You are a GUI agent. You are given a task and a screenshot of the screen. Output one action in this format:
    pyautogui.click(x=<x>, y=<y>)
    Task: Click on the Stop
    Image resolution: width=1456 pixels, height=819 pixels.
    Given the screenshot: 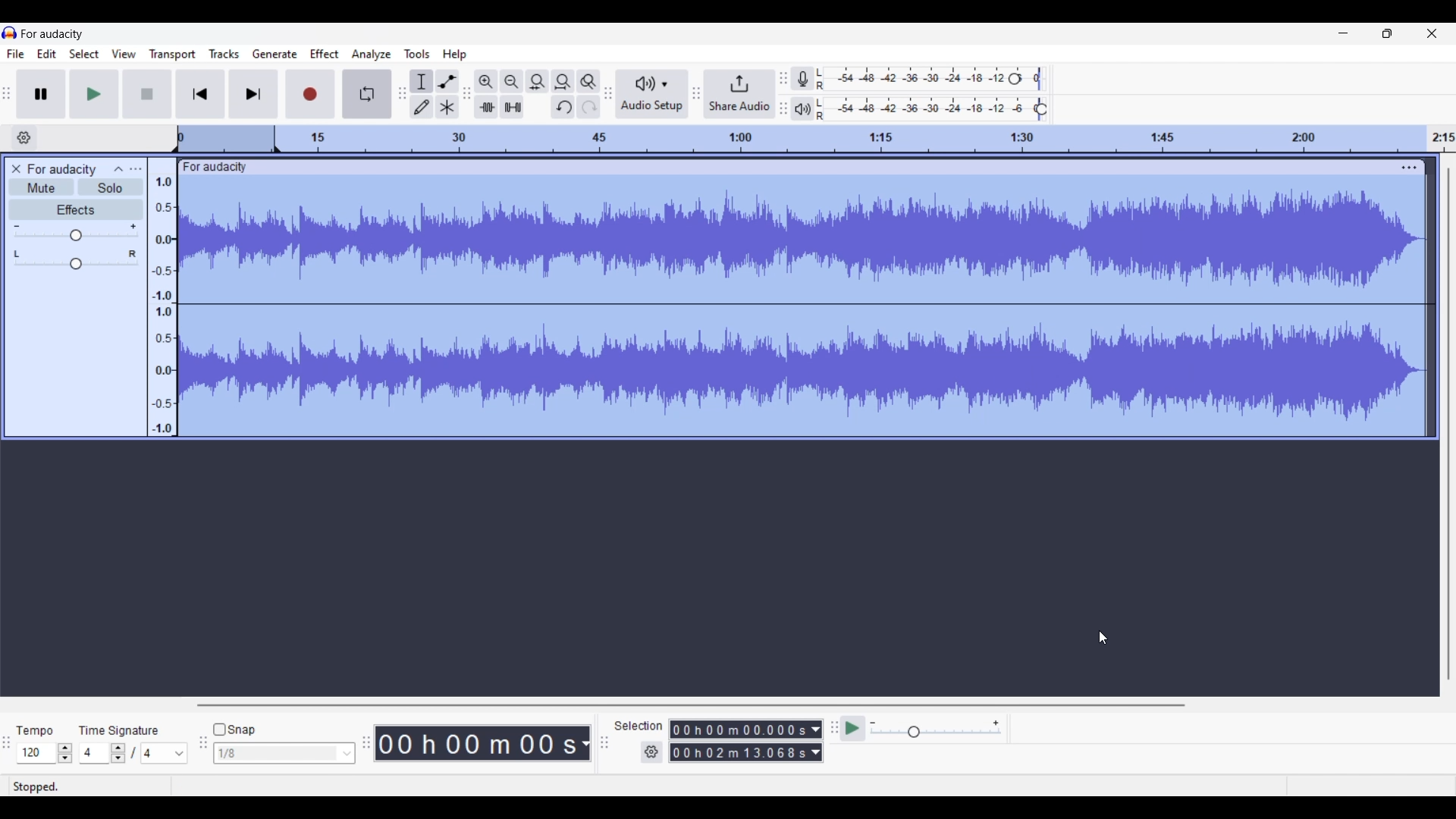 What is the action you would take?
    pyautogui.click(x=147, y=93)
    